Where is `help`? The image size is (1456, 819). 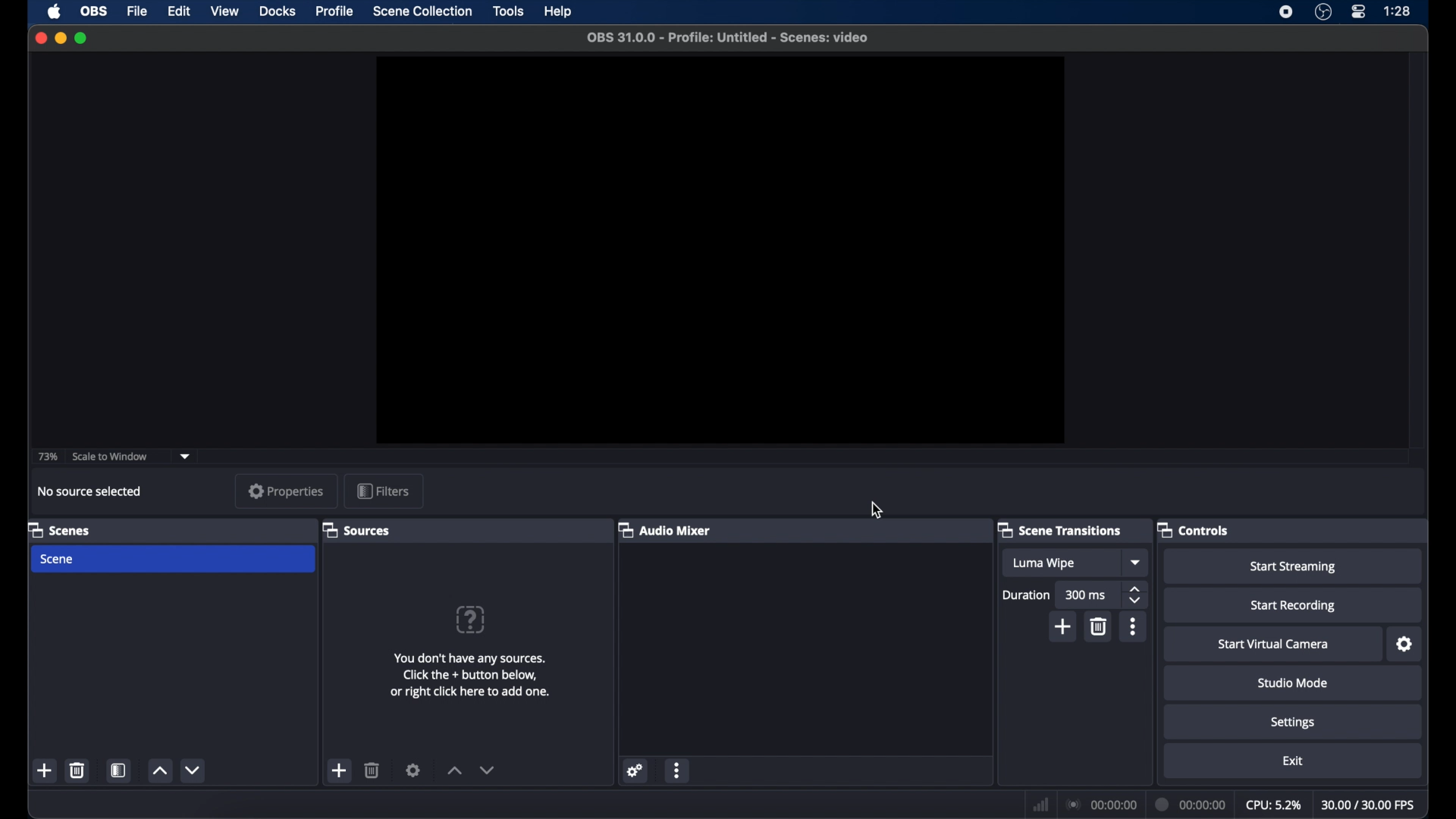 help is located at coordinates (560, 12).